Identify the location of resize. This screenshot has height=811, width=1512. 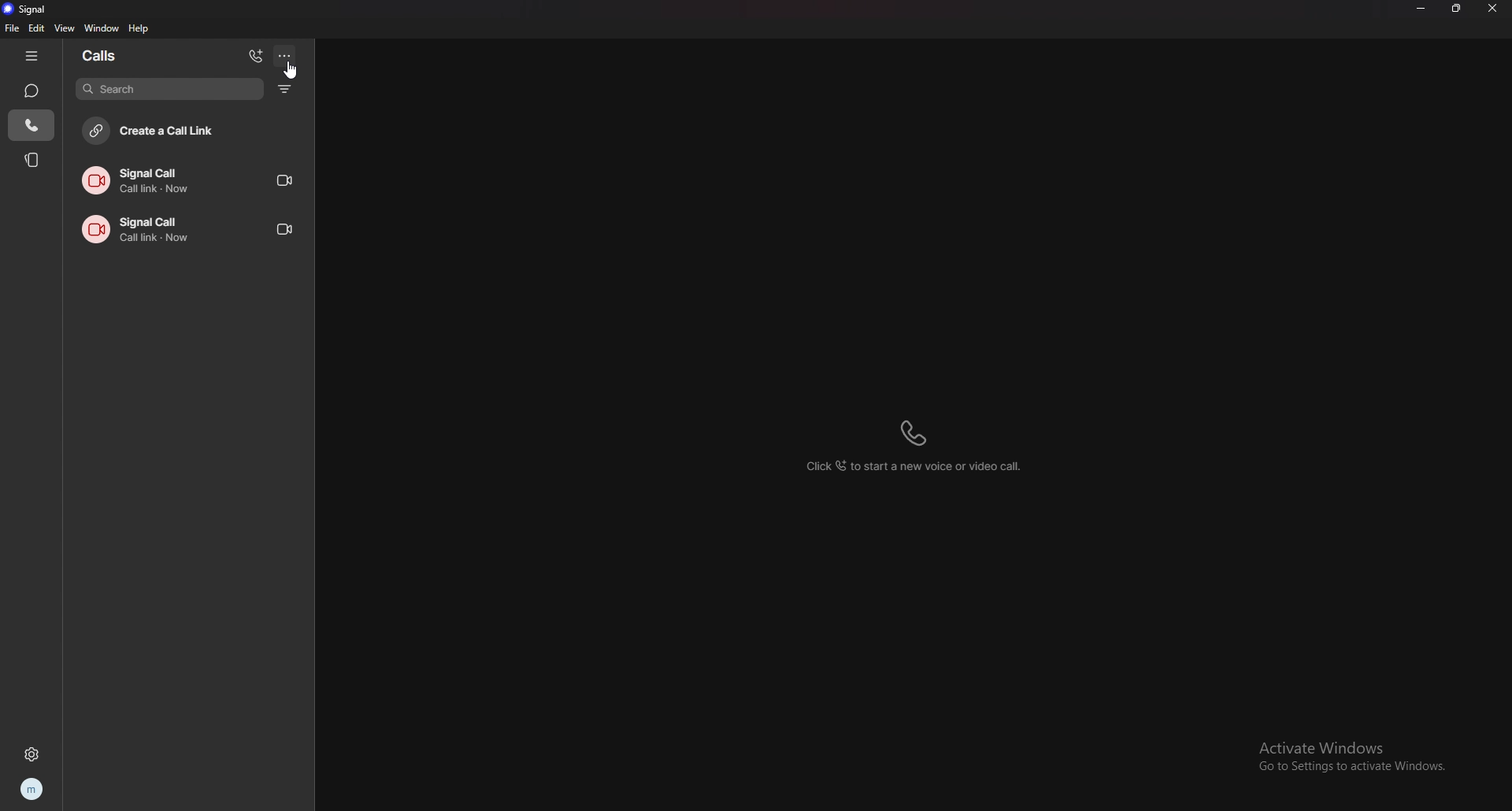
(1458, 7).